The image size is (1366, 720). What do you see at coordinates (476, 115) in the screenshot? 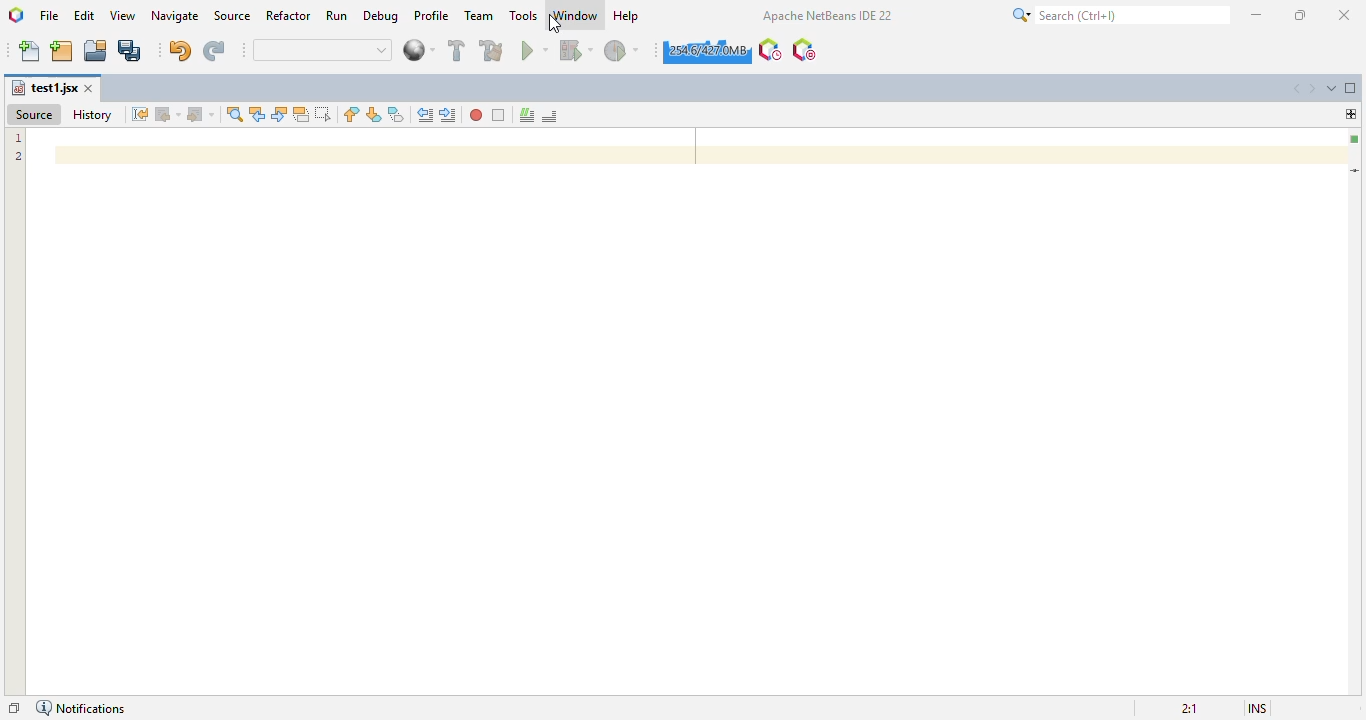
I see `start macro recording` at bounding box center [476, 115].